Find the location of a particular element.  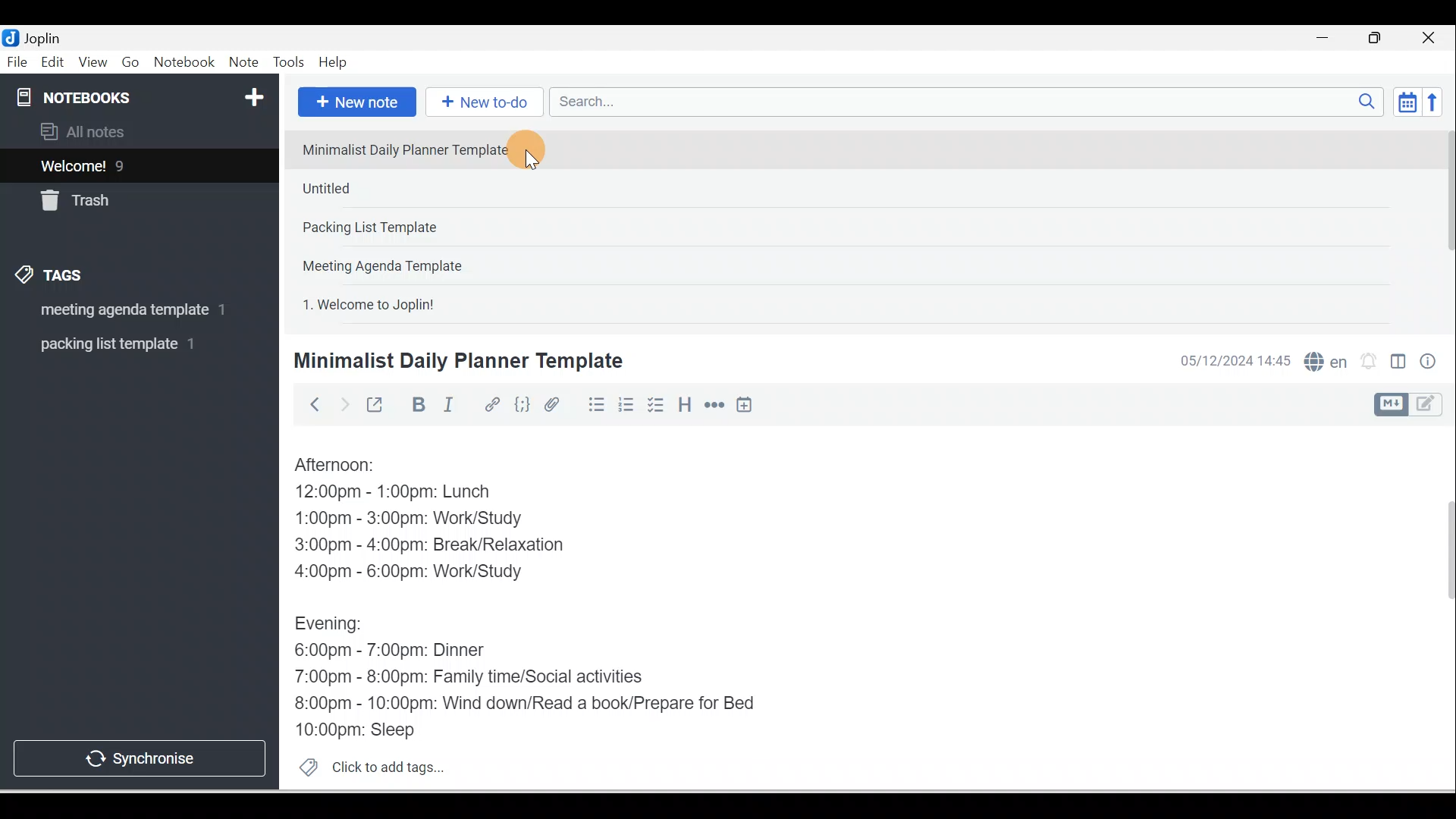

8:00pm - 10:00pm: Wind down/Read a book/Prepare for Bed is located at coordinates (526, 704).